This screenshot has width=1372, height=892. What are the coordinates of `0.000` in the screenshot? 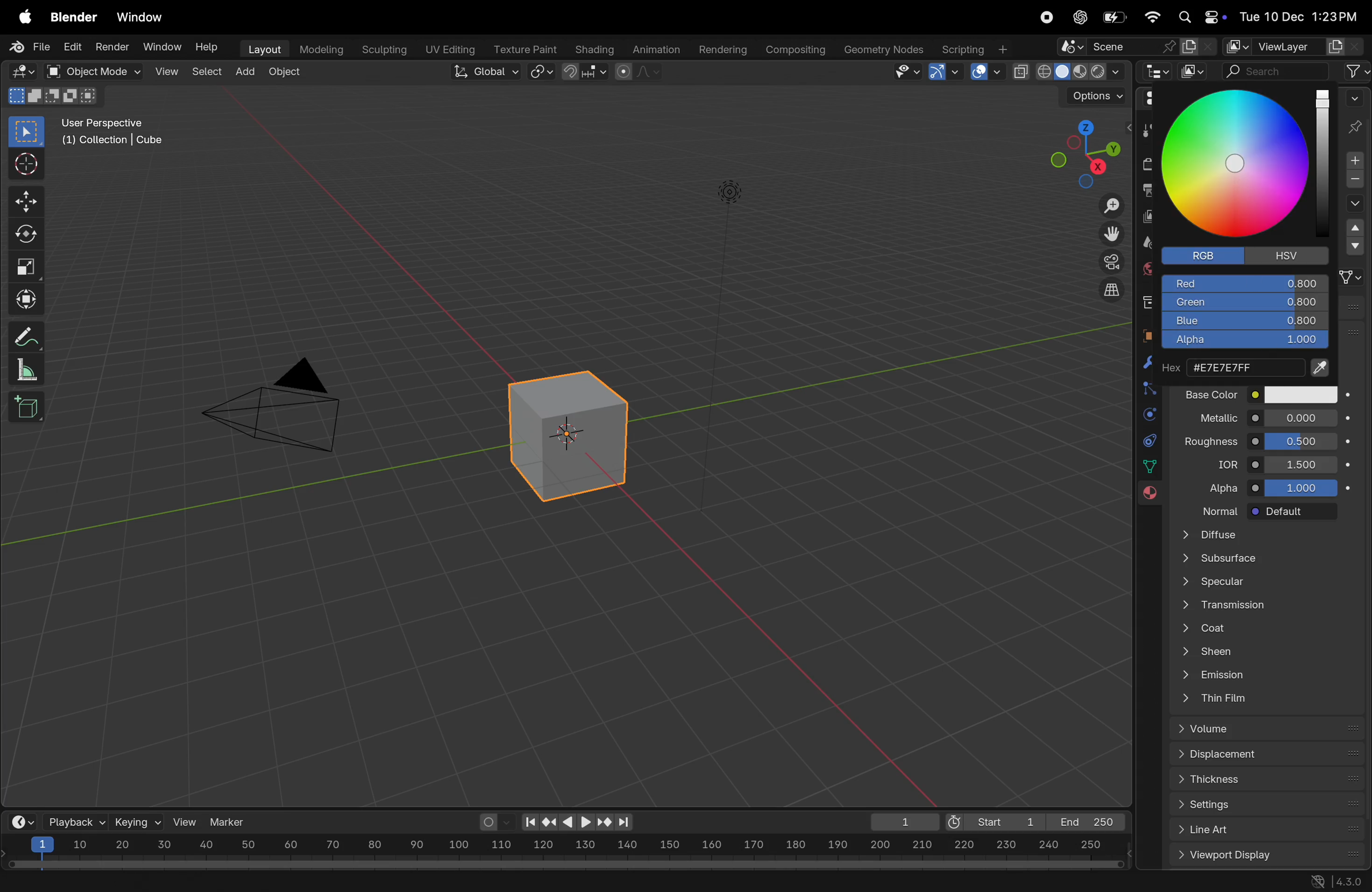 It's located at (1303, 440).